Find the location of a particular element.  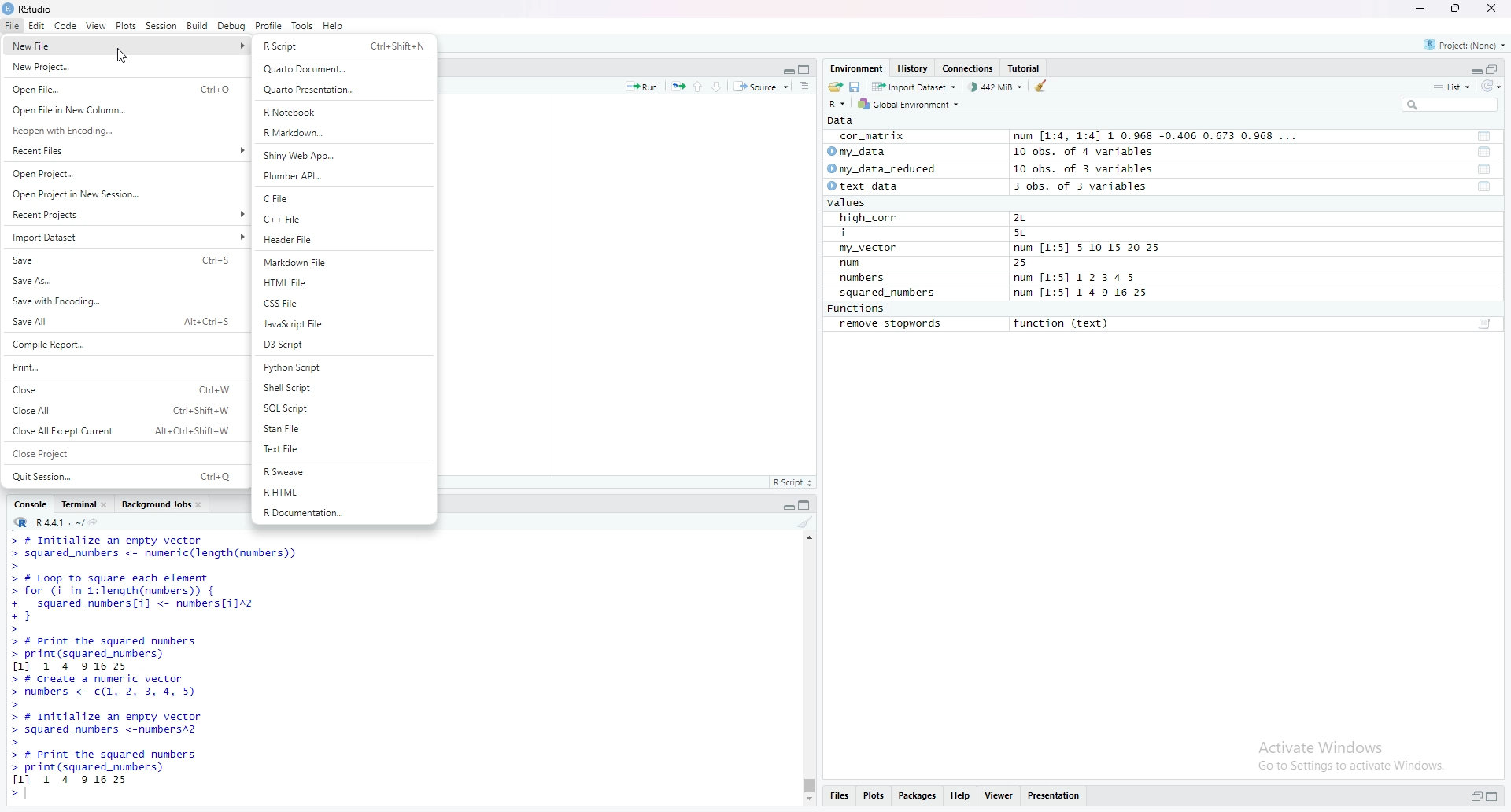

function (text) is located at coordinates (1064, 325).